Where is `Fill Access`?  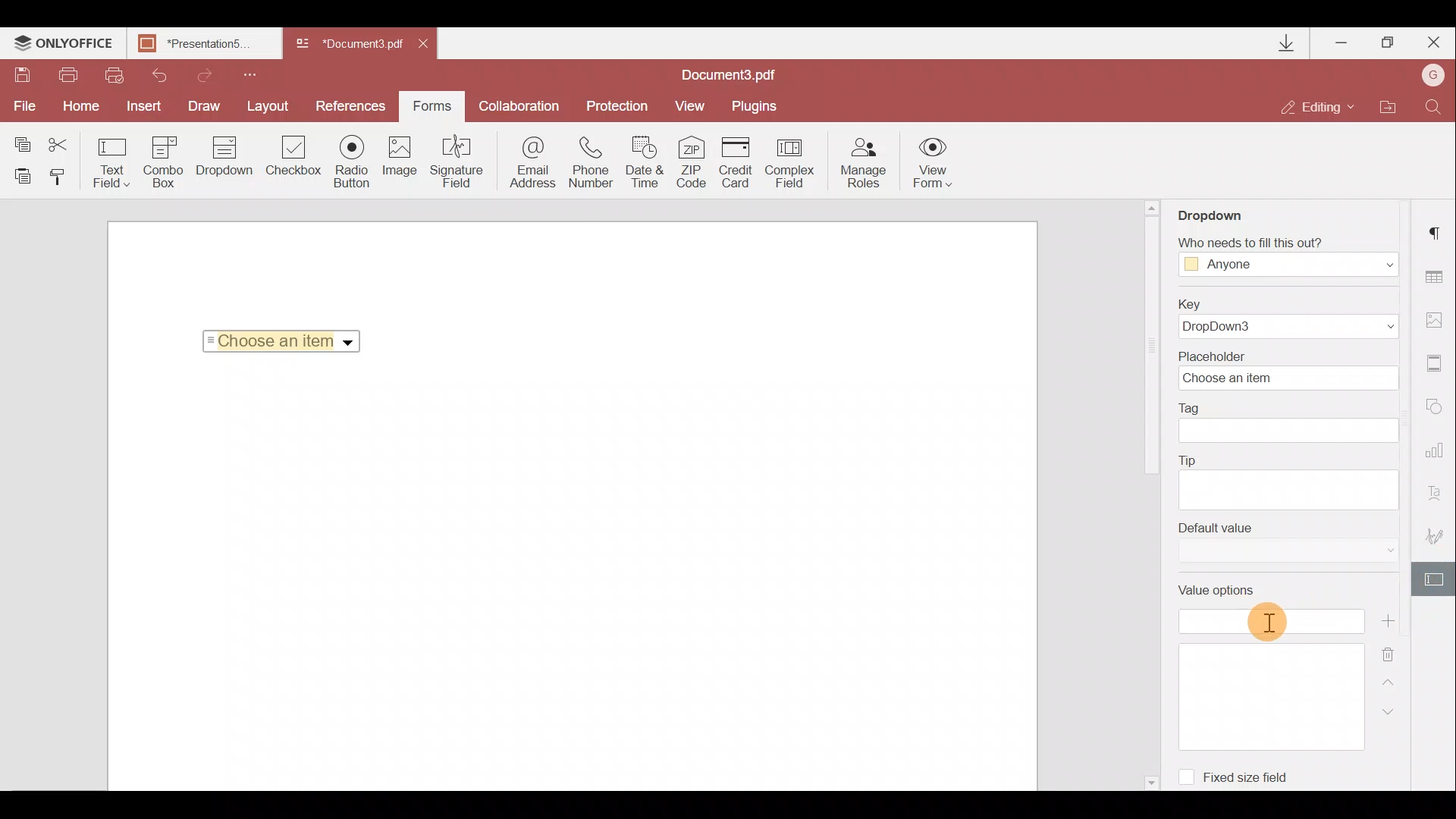
Fill Access is located at coordinates (1285, 257).